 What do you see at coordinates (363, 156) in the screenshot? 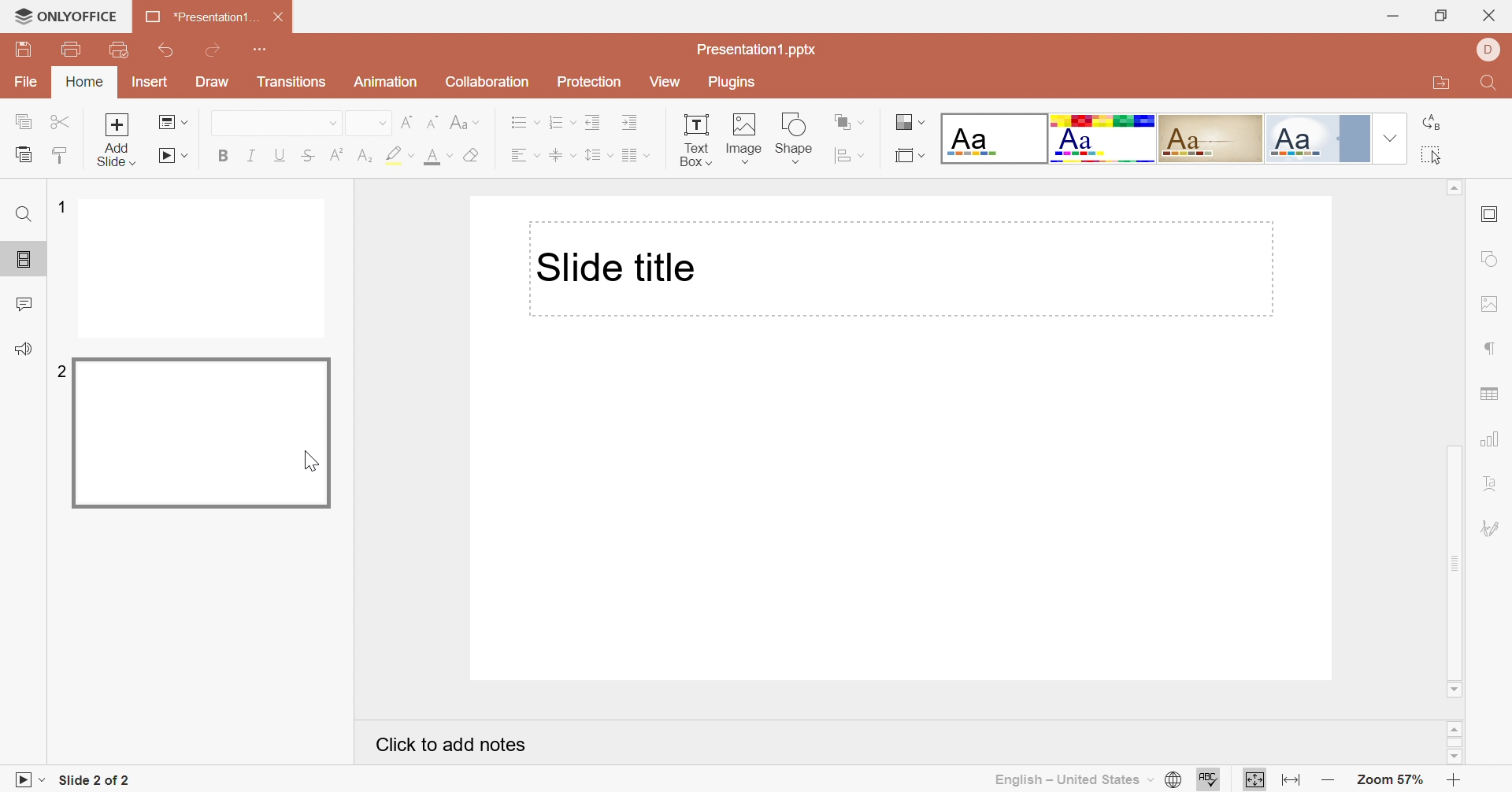
I see `Subscript` at bounding box center [363, 156].